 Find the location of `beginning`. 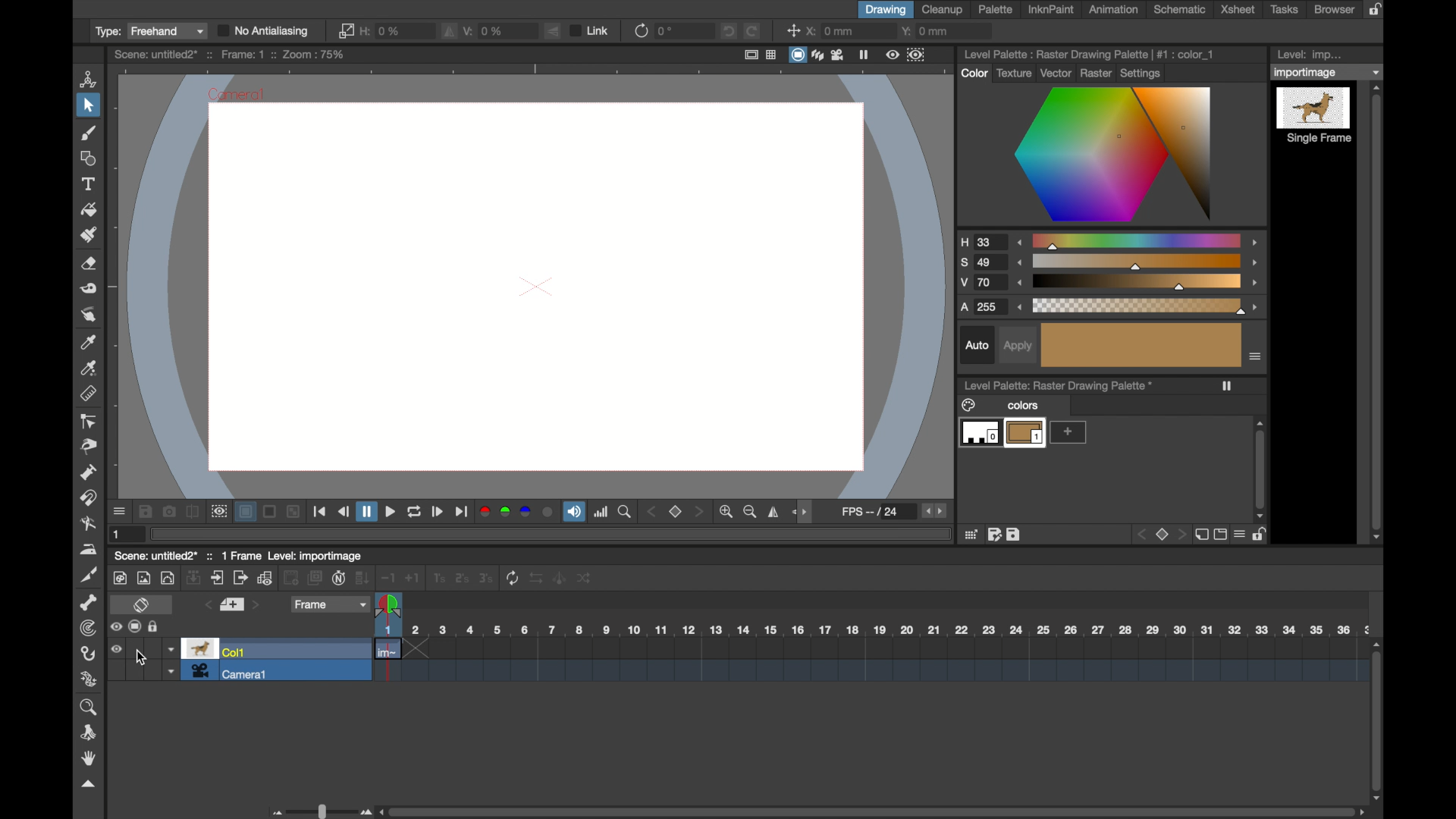

beginning is located at coordinates (321, 513).